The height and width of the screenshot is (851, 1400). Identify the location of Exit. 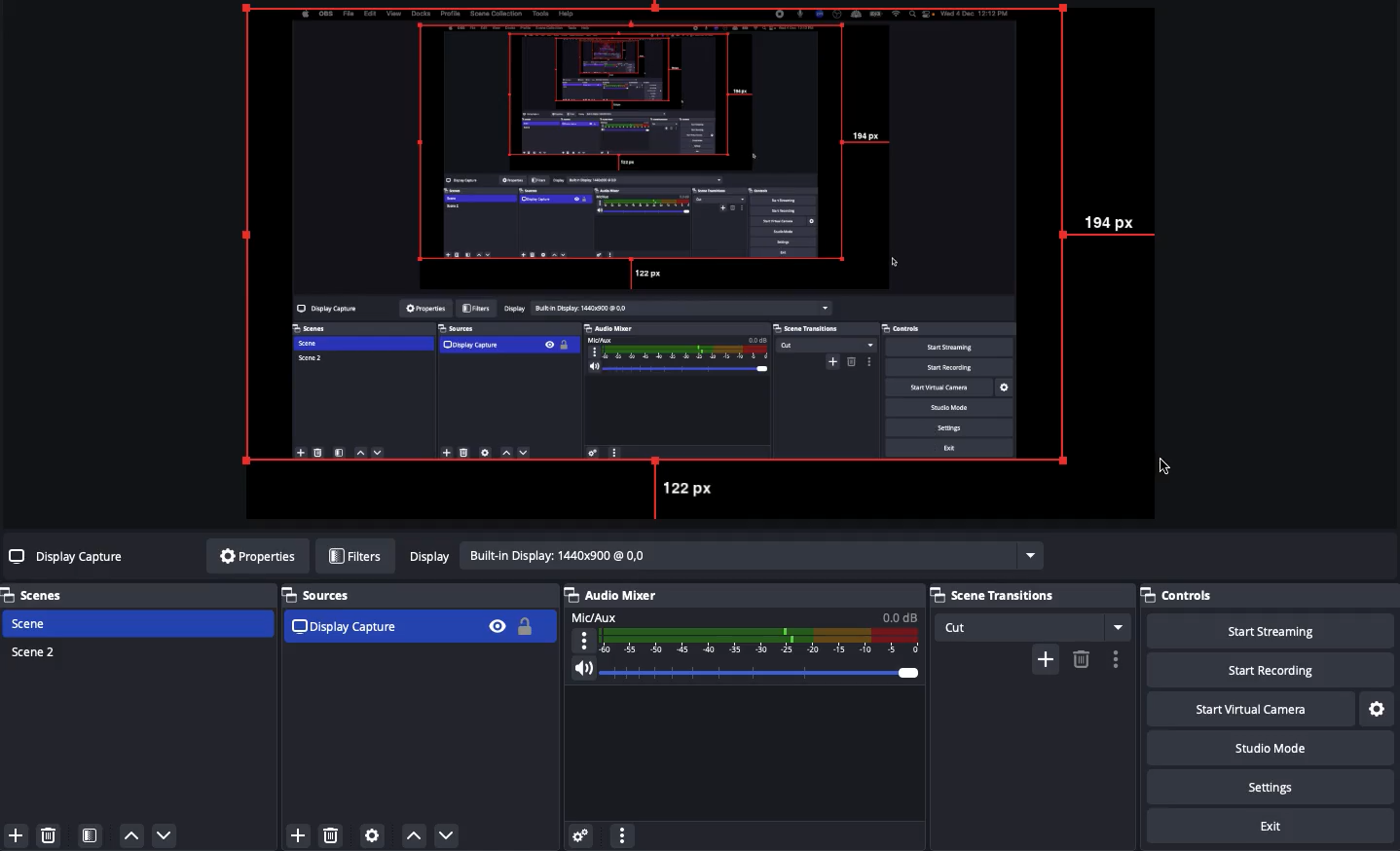
(1273, 828).